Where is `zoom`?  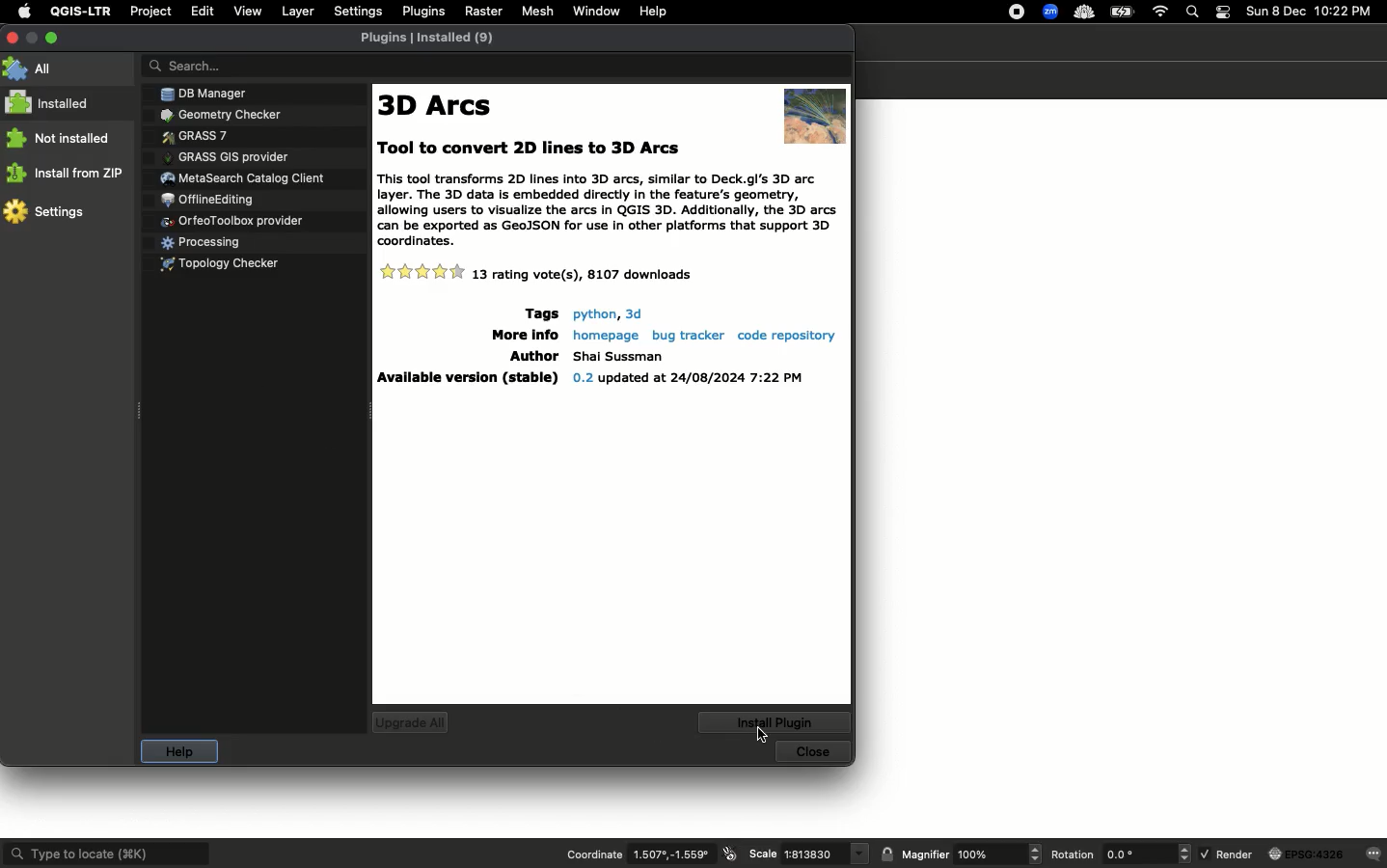 zoom is located at coordinates (1050, 11).